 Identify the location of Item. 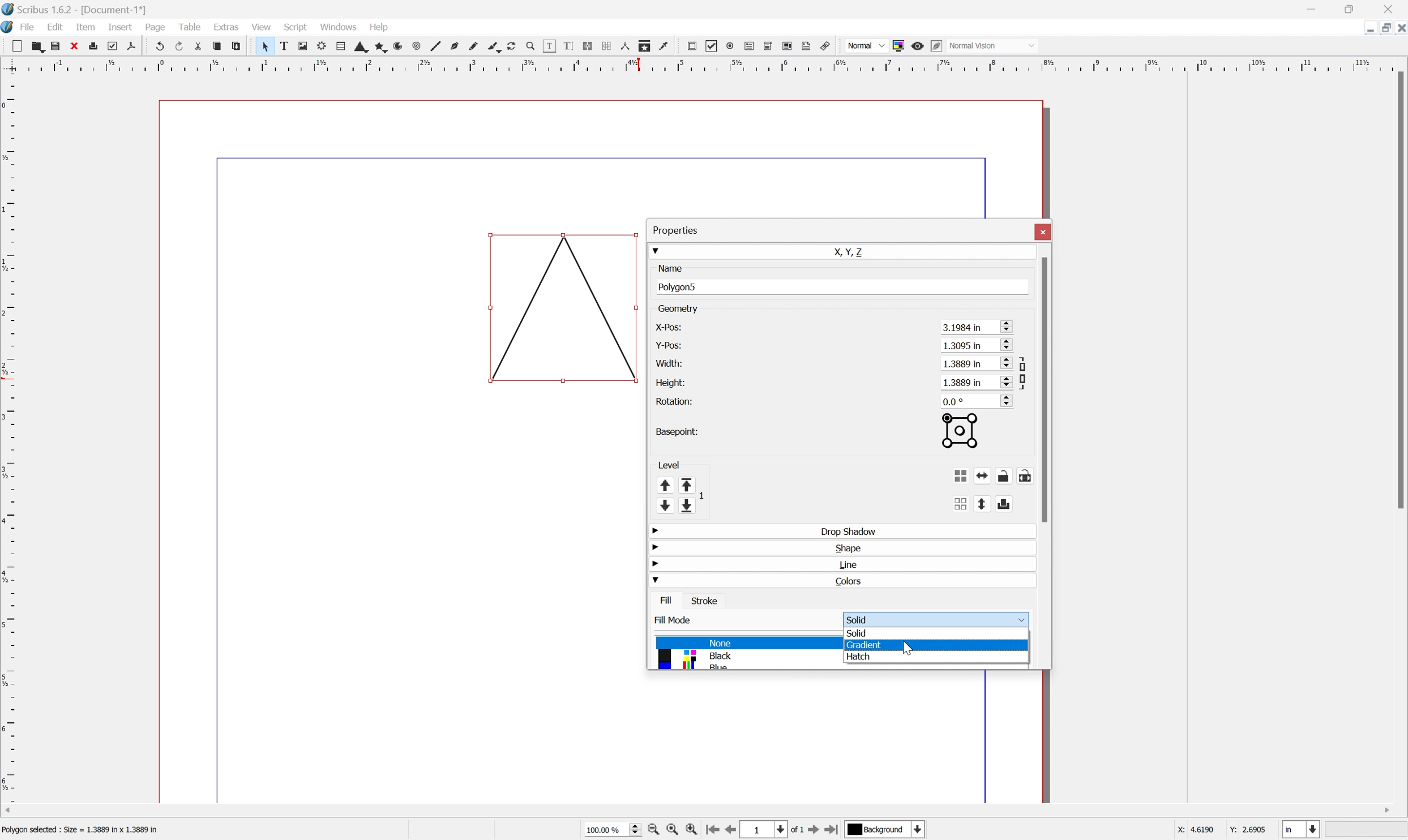
(84, 27).